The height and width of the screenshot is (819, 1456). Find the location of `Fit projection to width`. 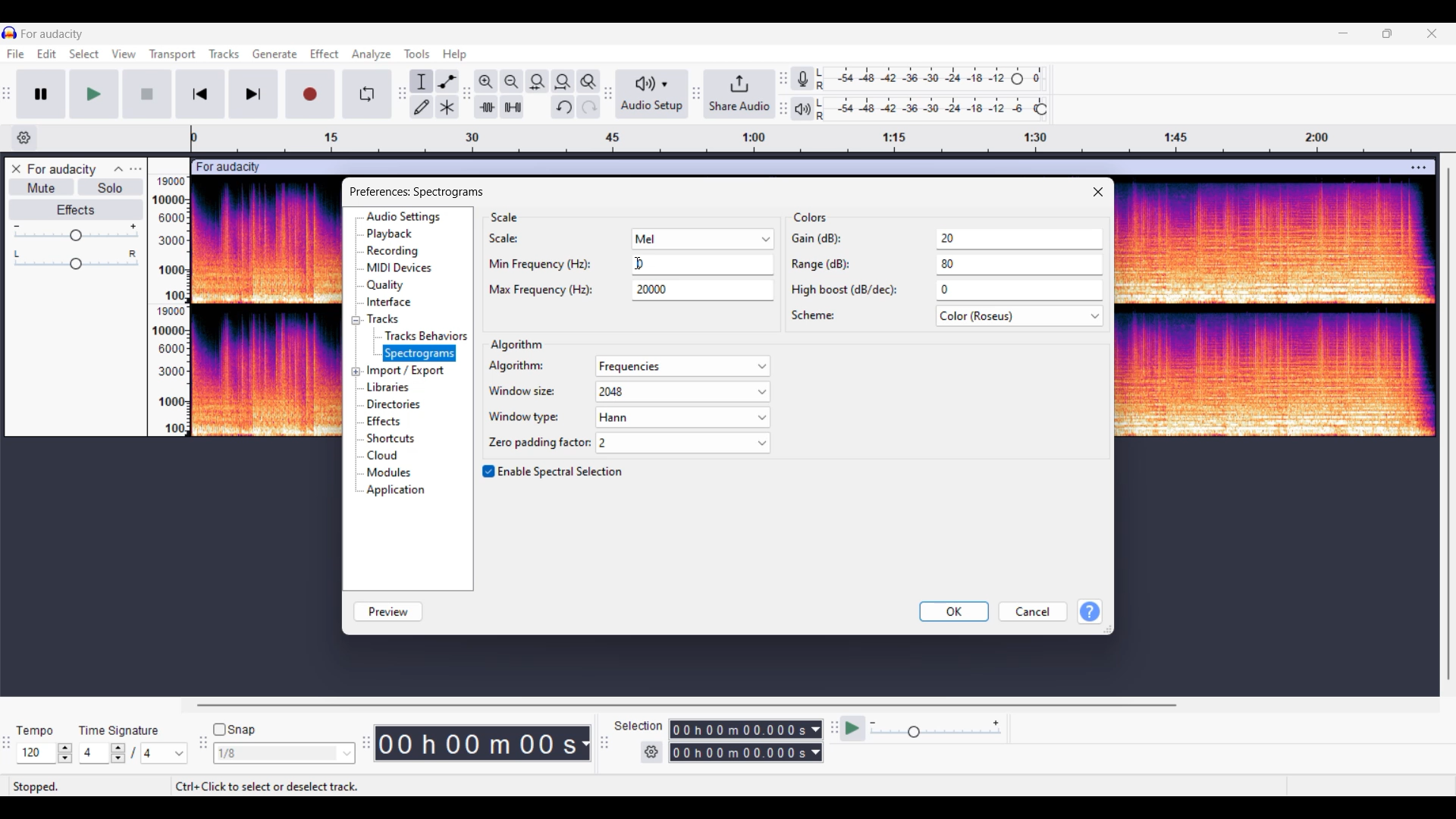

Fit projection to width is located at coordinates (563, 82).